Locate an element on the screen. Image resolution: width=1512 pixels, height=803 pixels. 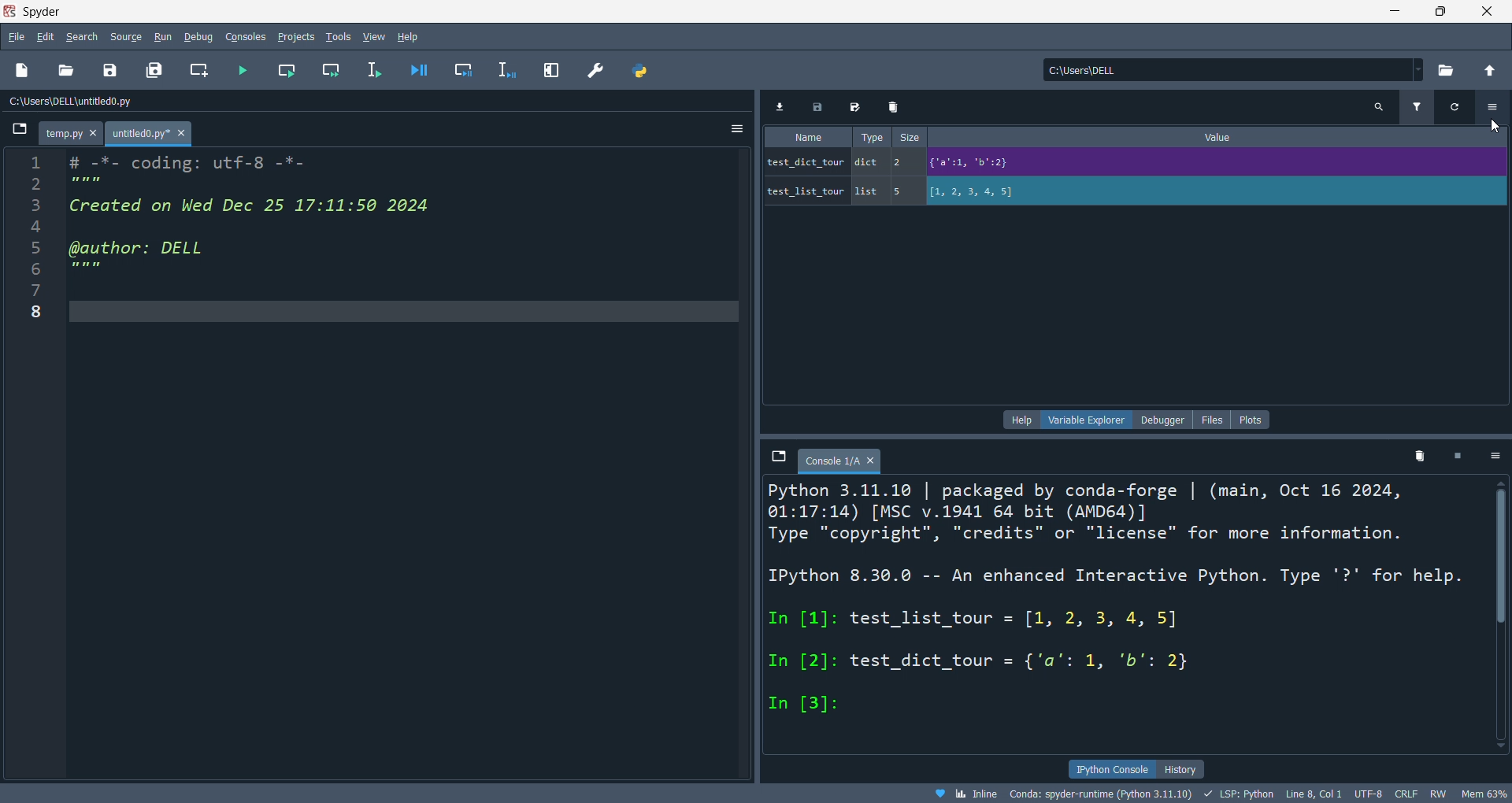
debug file is located at coordinates (418, 71).